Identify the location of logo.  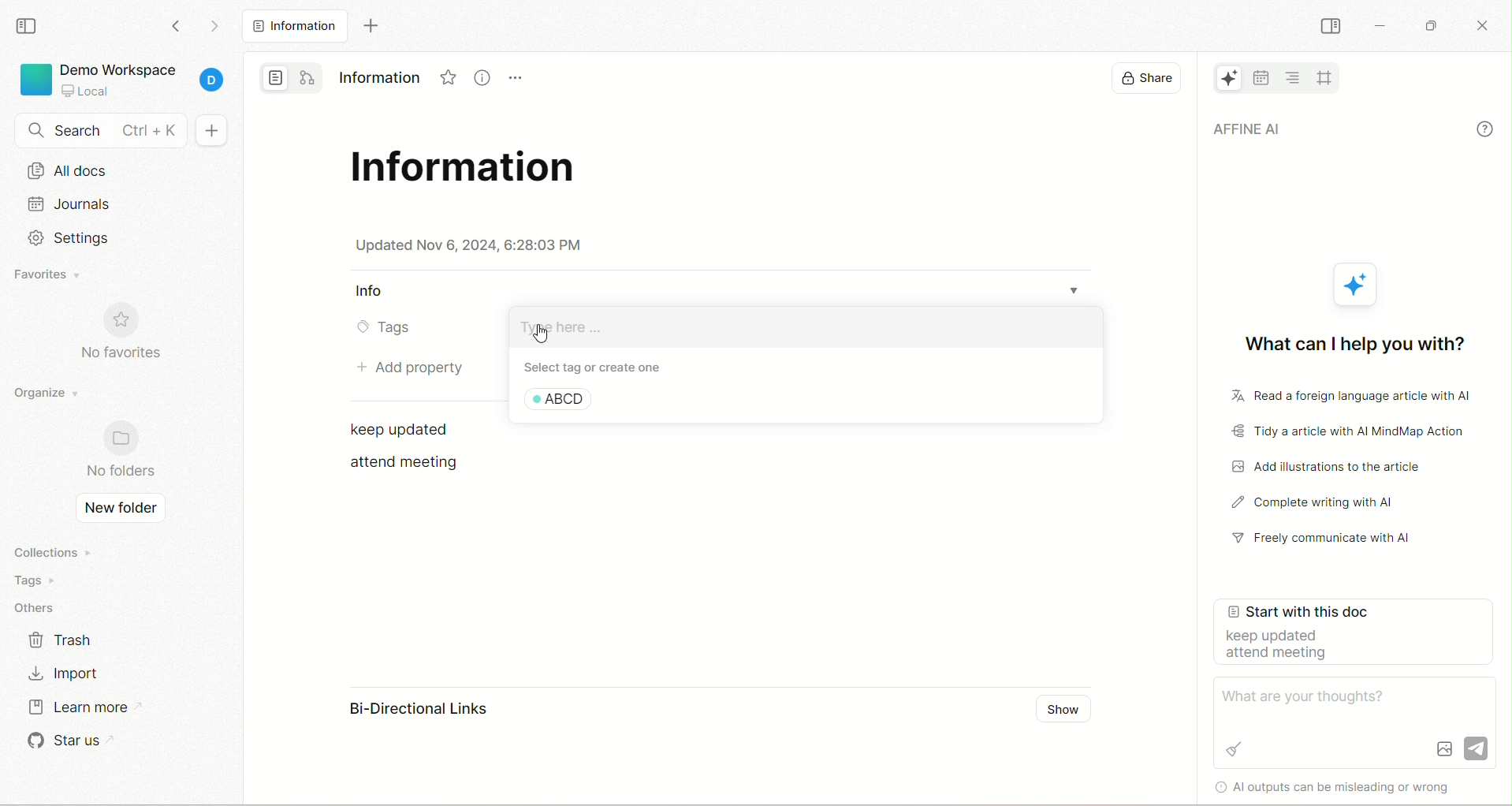
(34, 82).